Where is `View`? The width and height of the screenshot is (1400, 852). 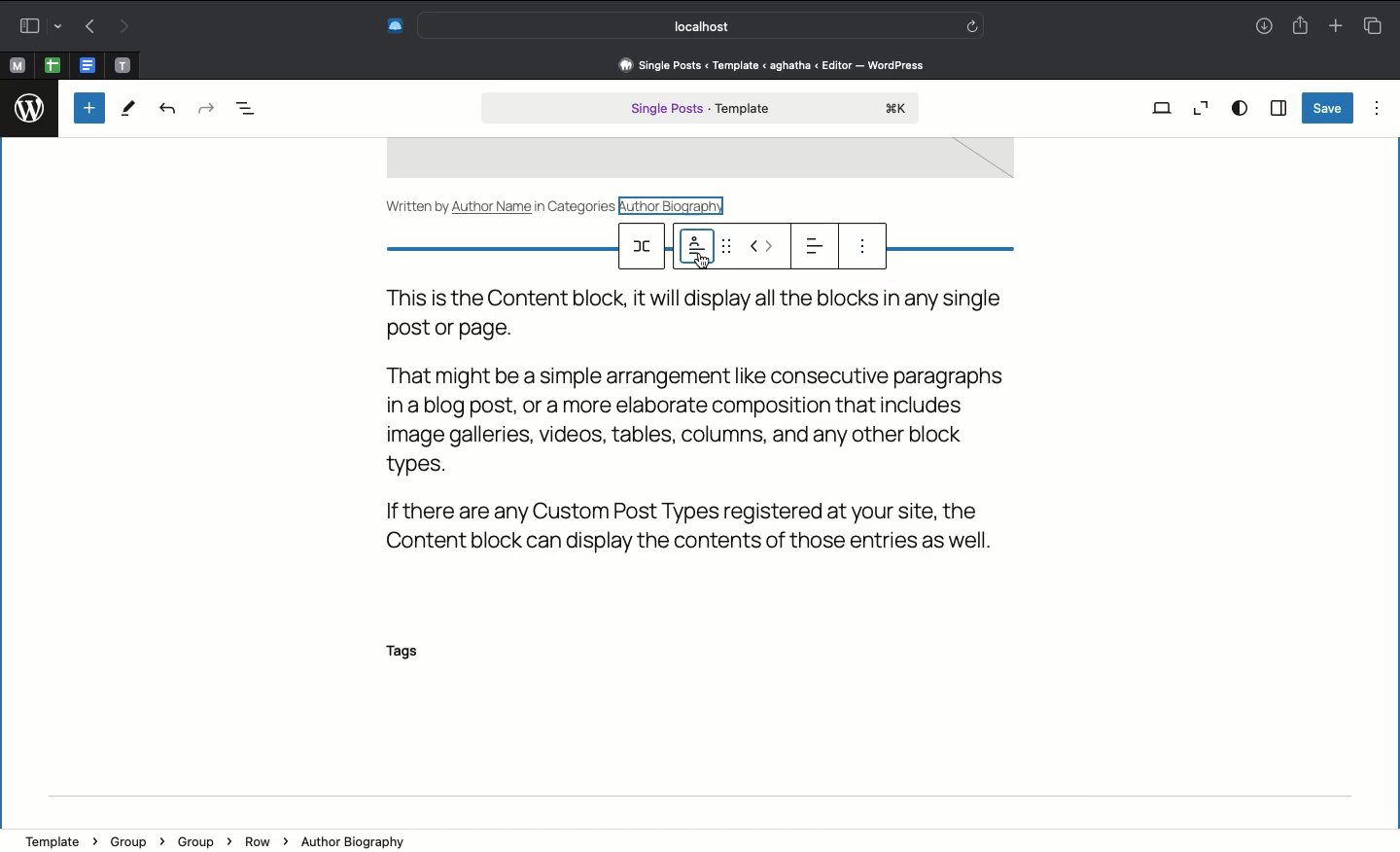 View is located at coordinates (1163, 107).